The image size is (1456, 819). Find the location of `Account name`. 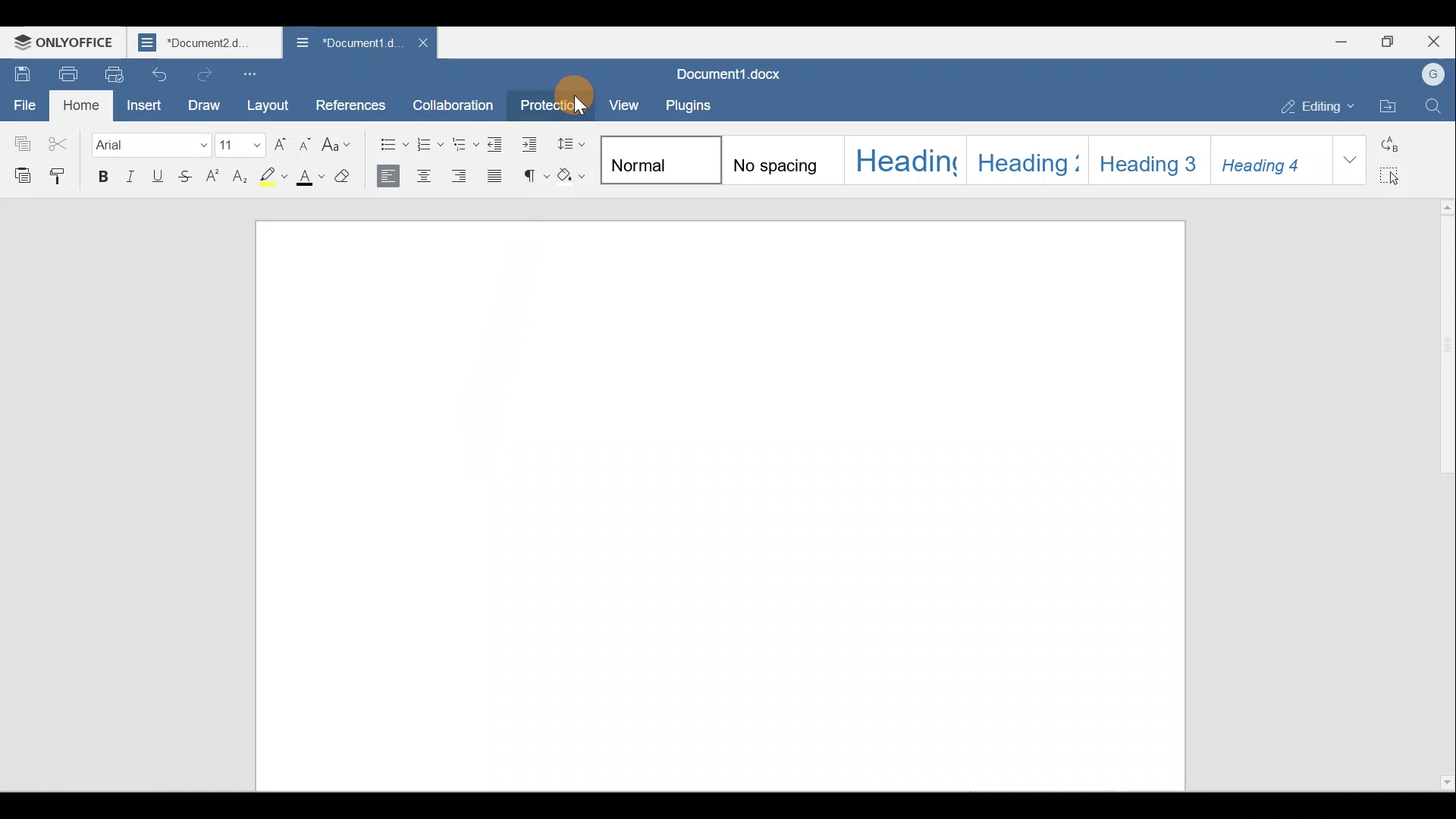

Account name is located at coordinates (1436, 73).